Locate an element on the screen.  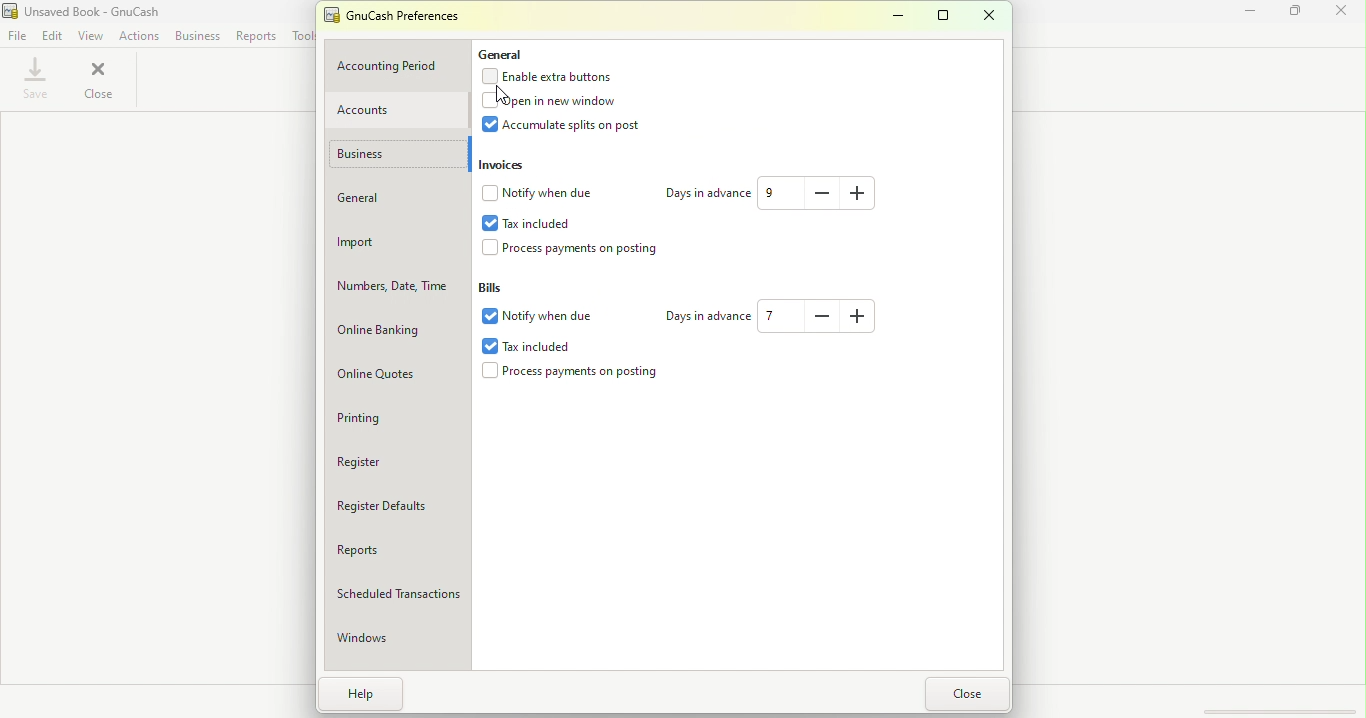
Open in new window is located at coordinates (546, 100).